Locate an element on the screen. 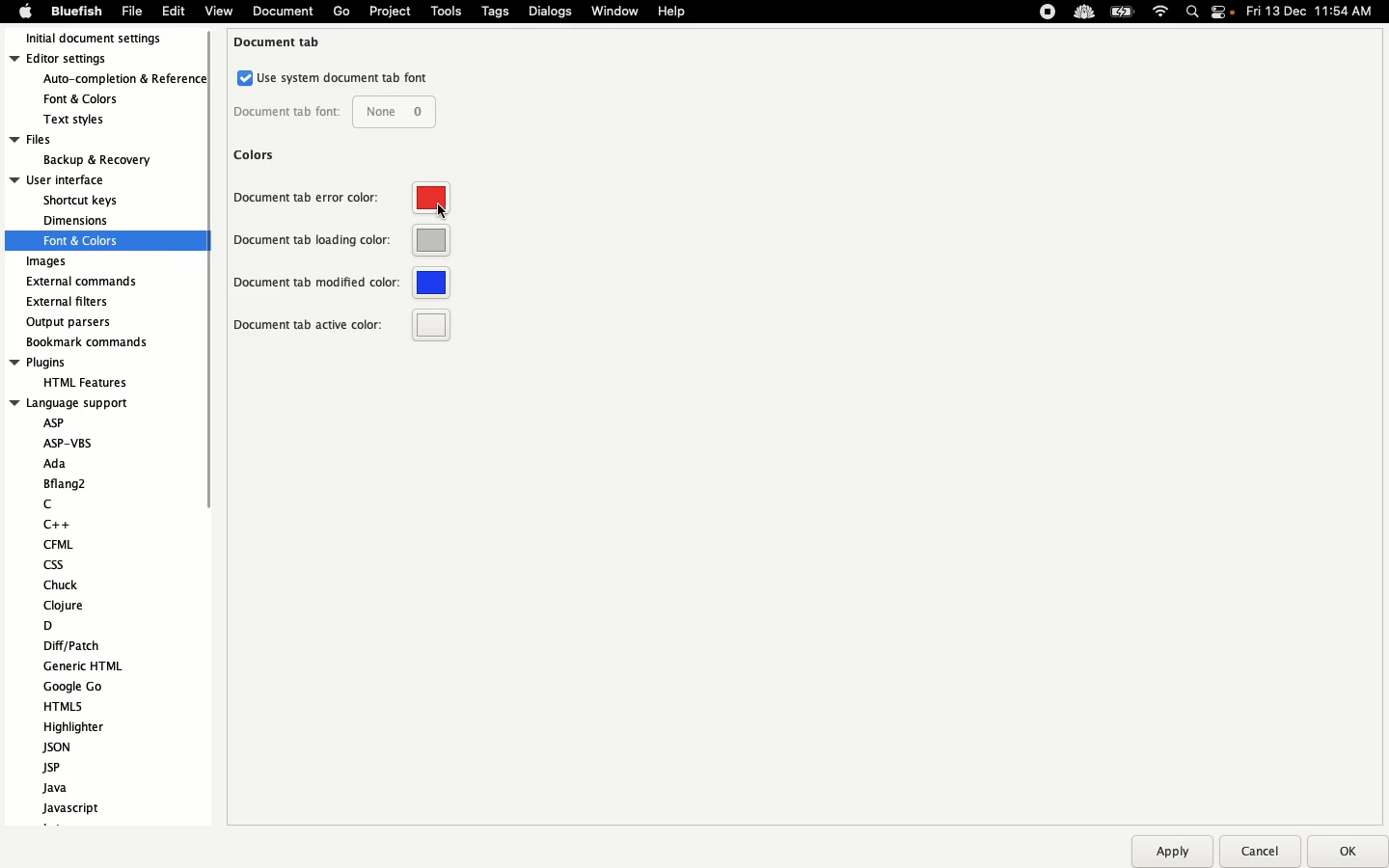  Tags is located at coordinates (497, 11).